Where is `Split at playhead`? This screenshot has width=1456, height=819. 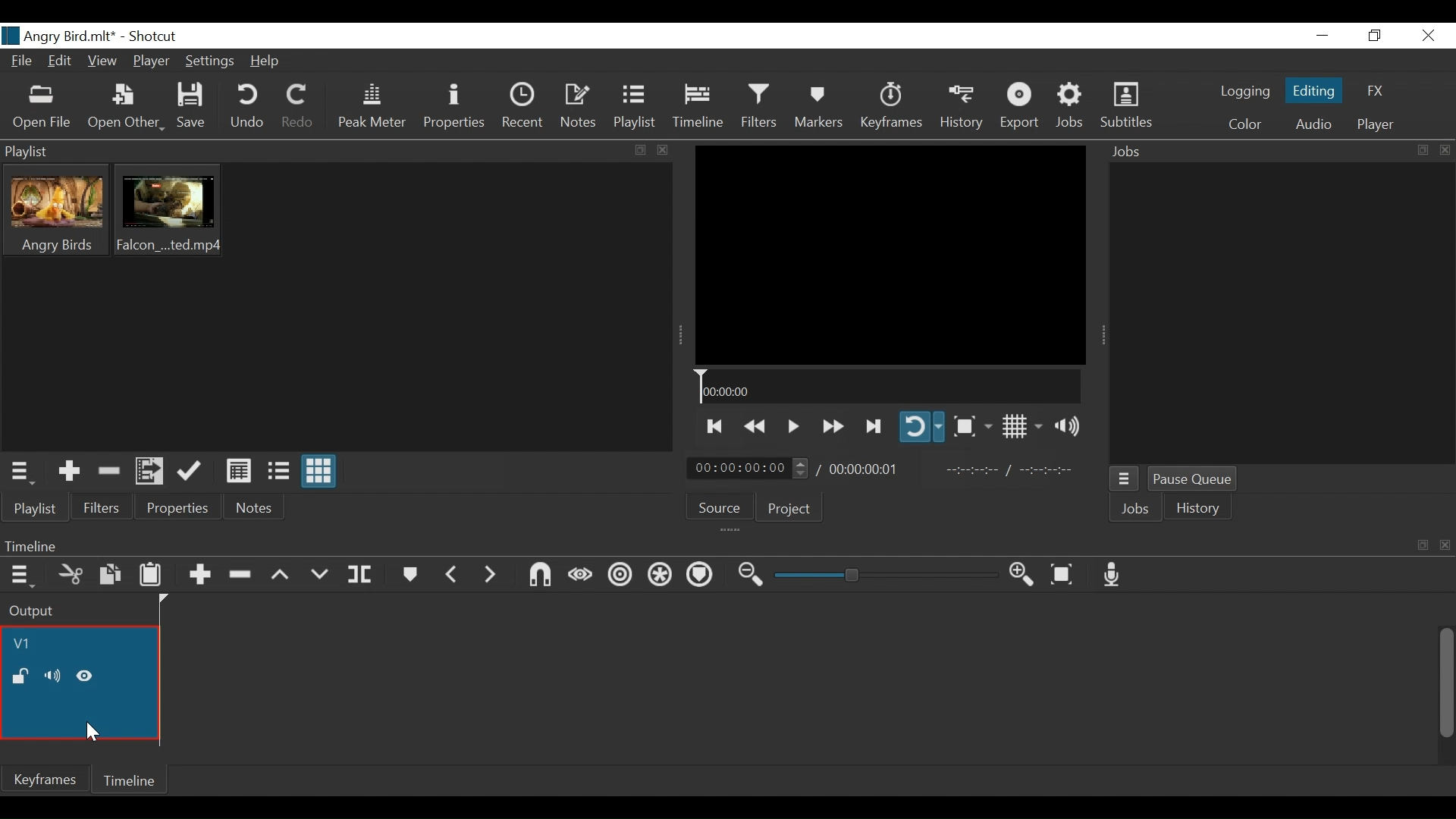 Split at playhead is located at coordinates (360, 574).